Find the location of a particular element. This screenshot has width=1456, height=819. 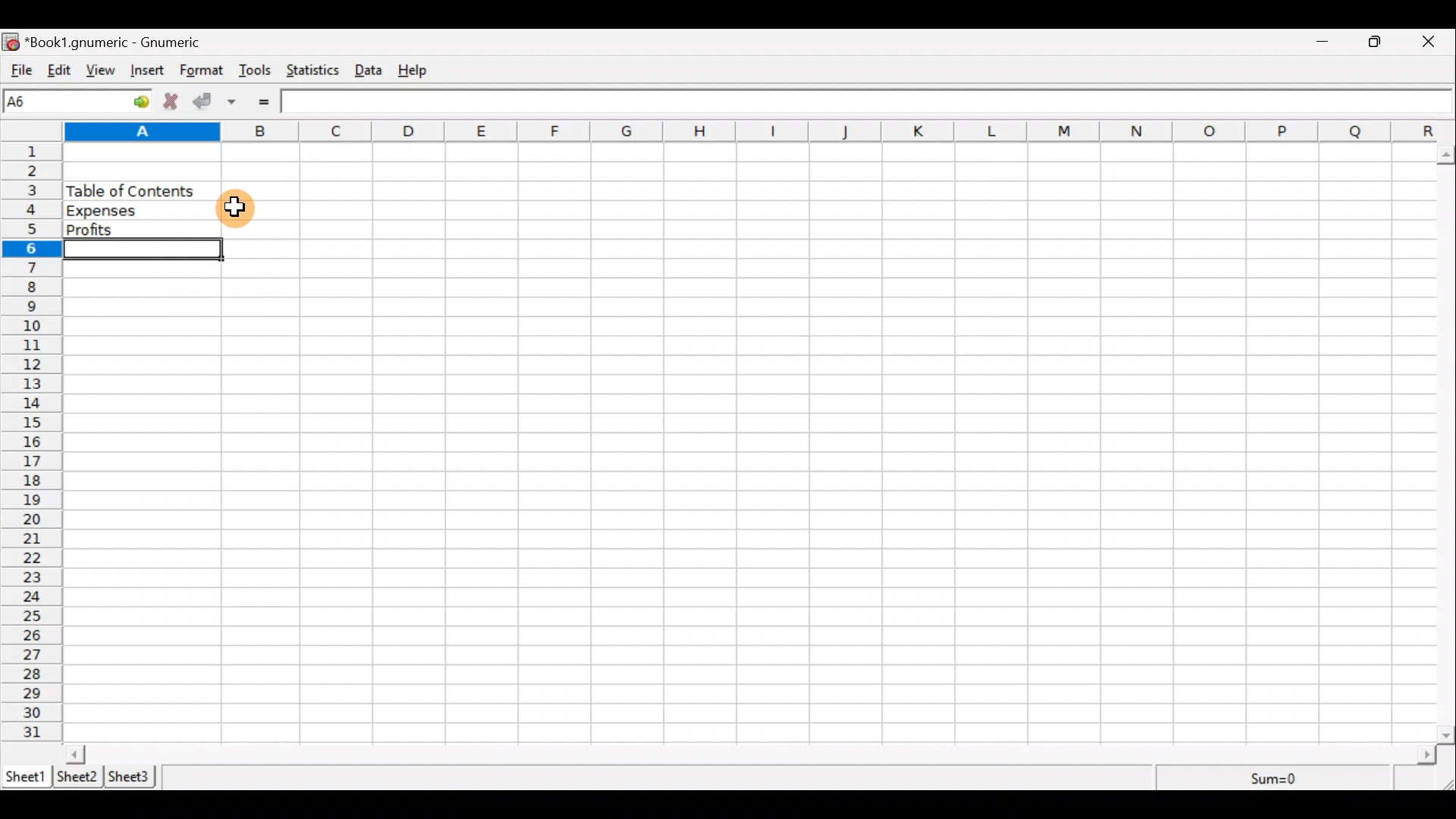

Help is located at coordinates (420, 71).